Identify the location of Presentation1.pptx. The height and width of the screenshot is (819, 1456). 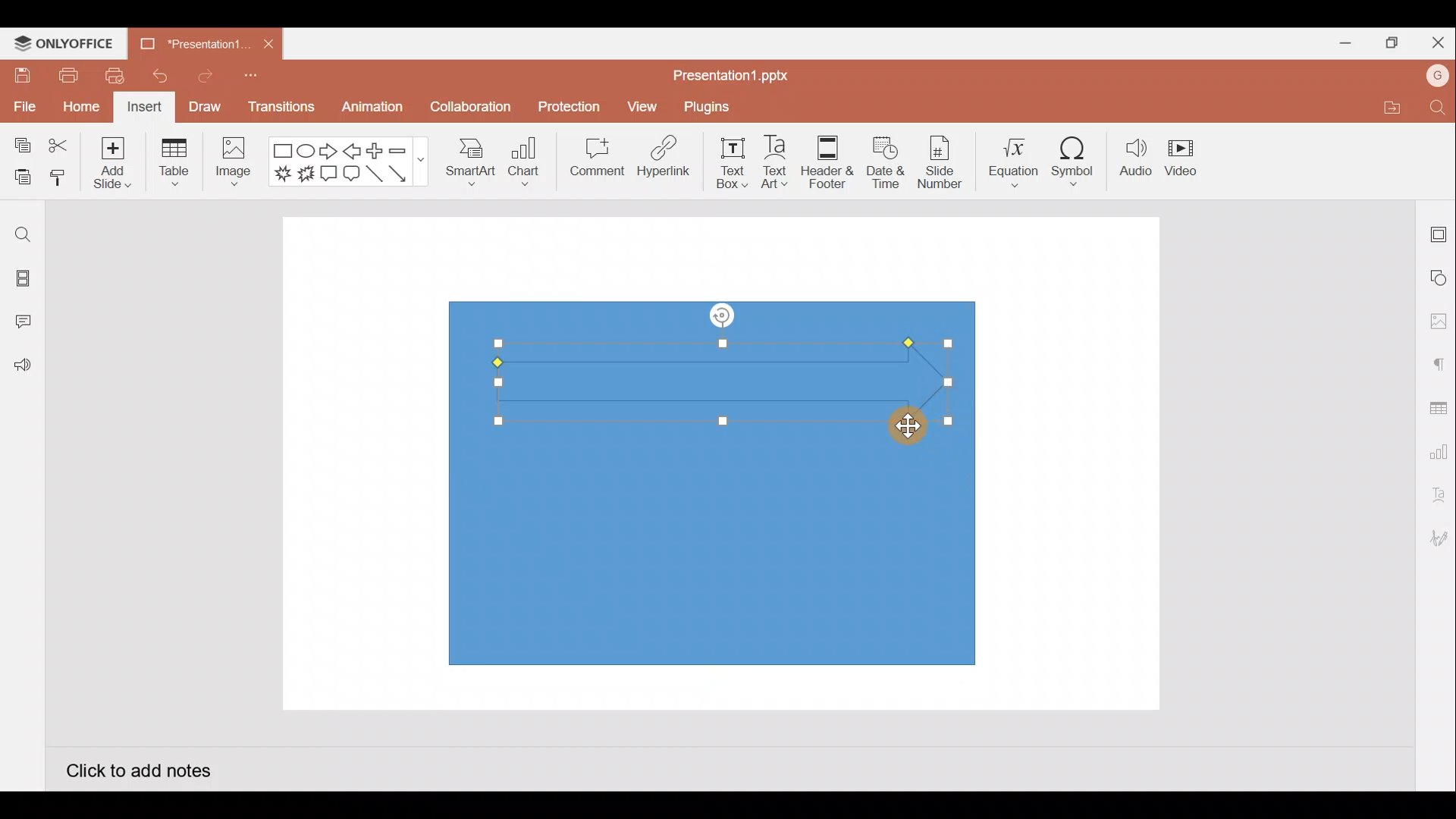
(736, 75).